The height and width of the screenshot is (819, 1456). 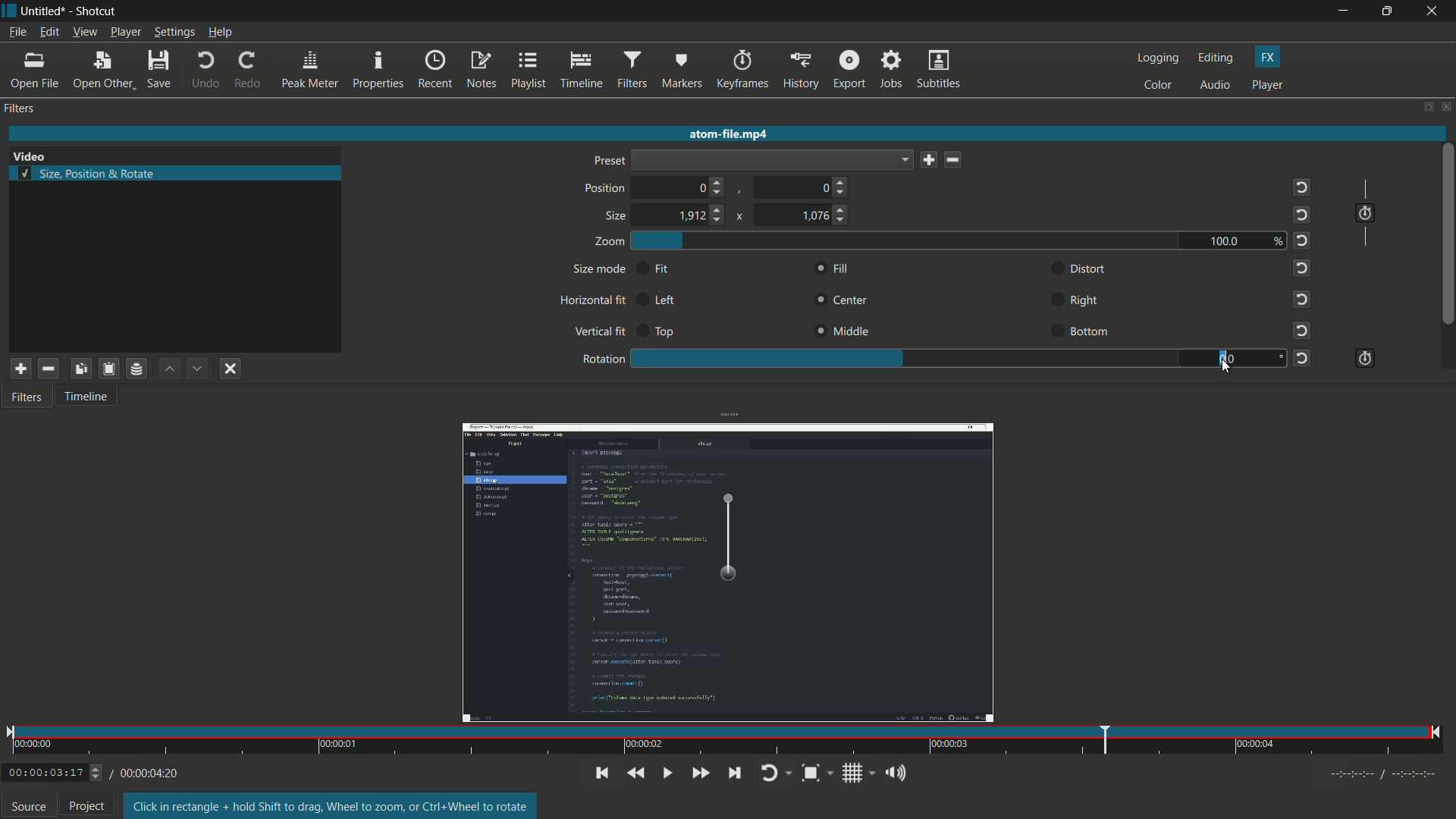 What do you see at coordinates (1303, 187) in the screenshot?
I see `reset to default` at bounding box center [1303, 187].